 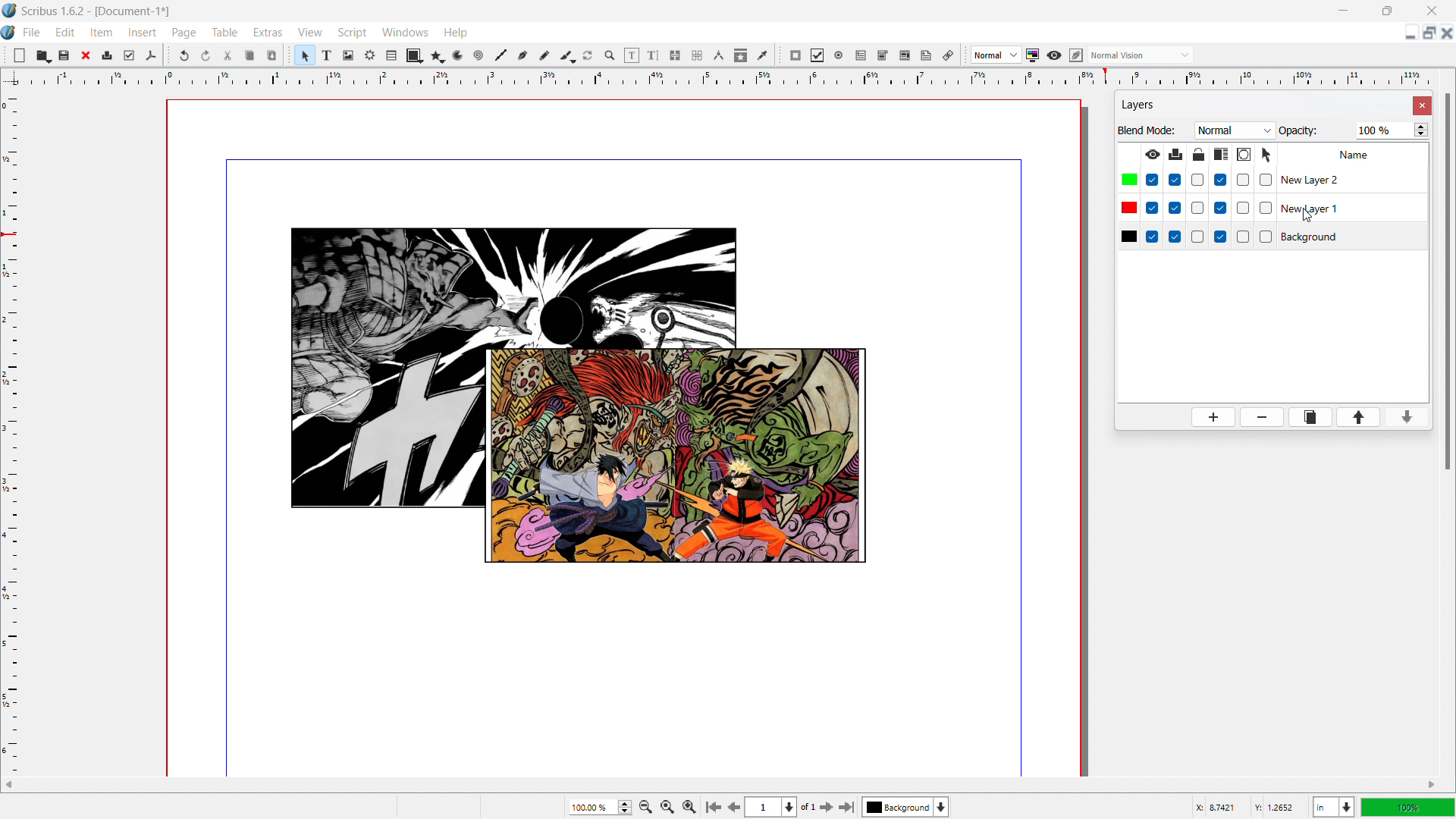 I want to click on add layer, so click(x=1213, y=418).